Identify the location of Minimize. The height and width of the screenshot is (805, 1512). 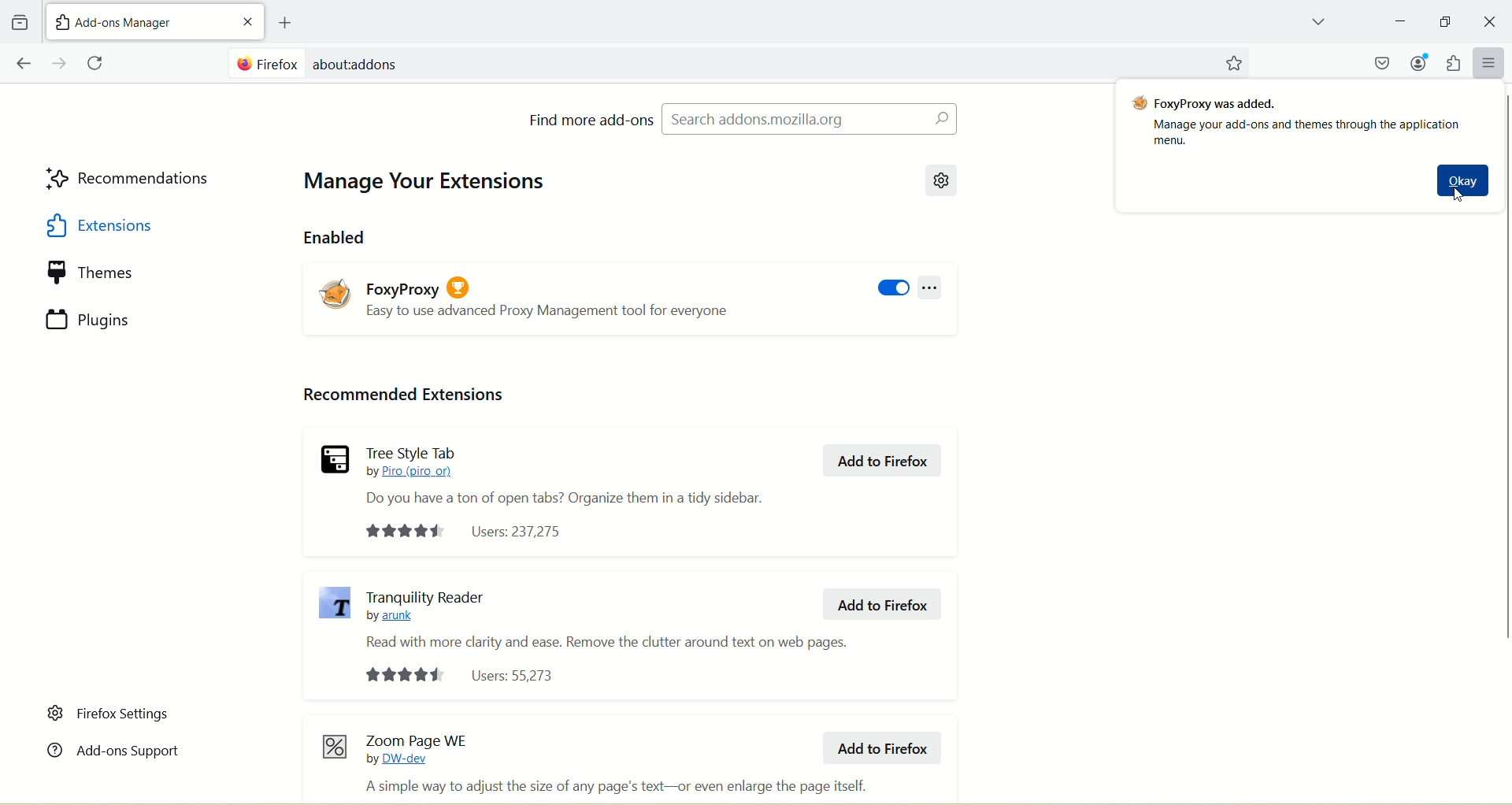
(1445, 21).